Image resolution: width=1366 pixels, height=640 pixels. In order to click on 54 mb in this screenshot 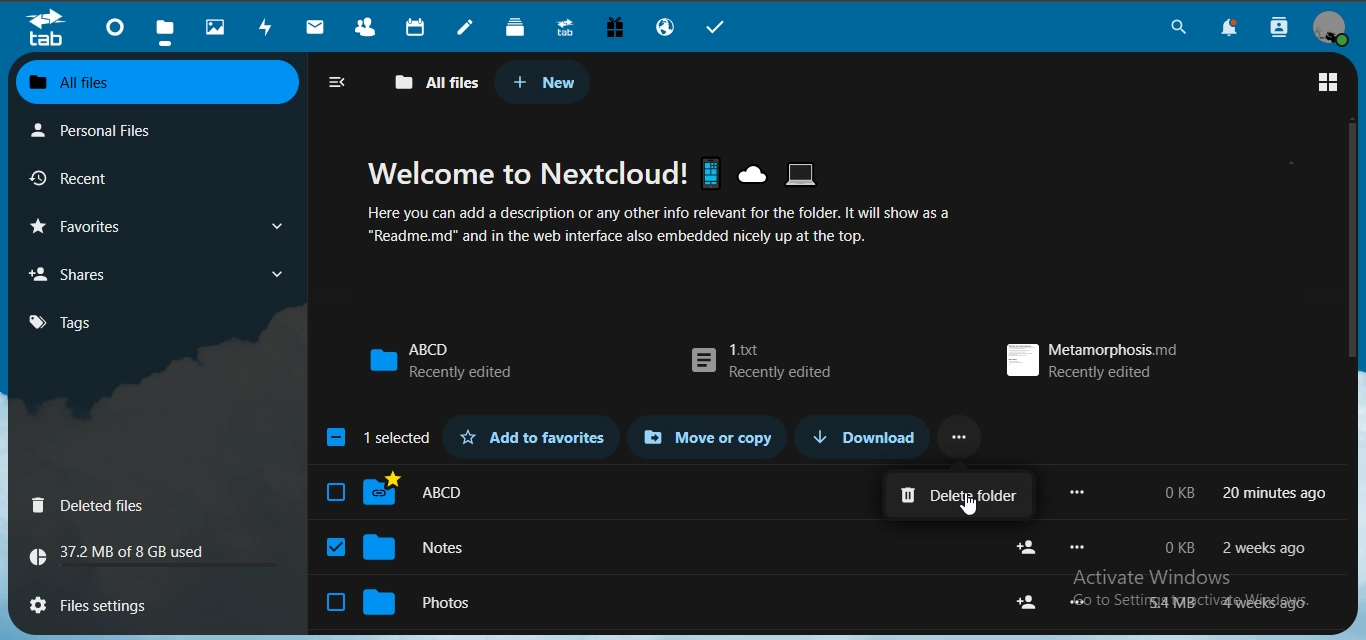, I will do `click(1175, 602)`.